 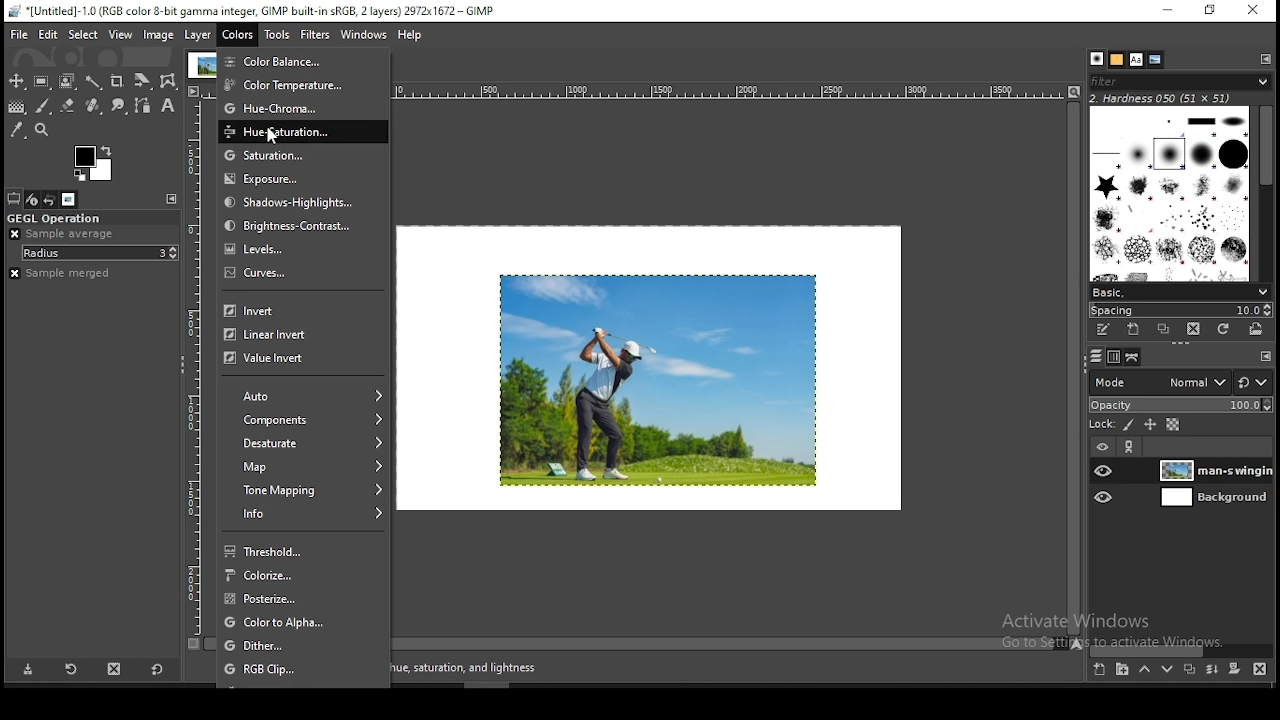 I want to click on windows, so click(x=364, y=35).